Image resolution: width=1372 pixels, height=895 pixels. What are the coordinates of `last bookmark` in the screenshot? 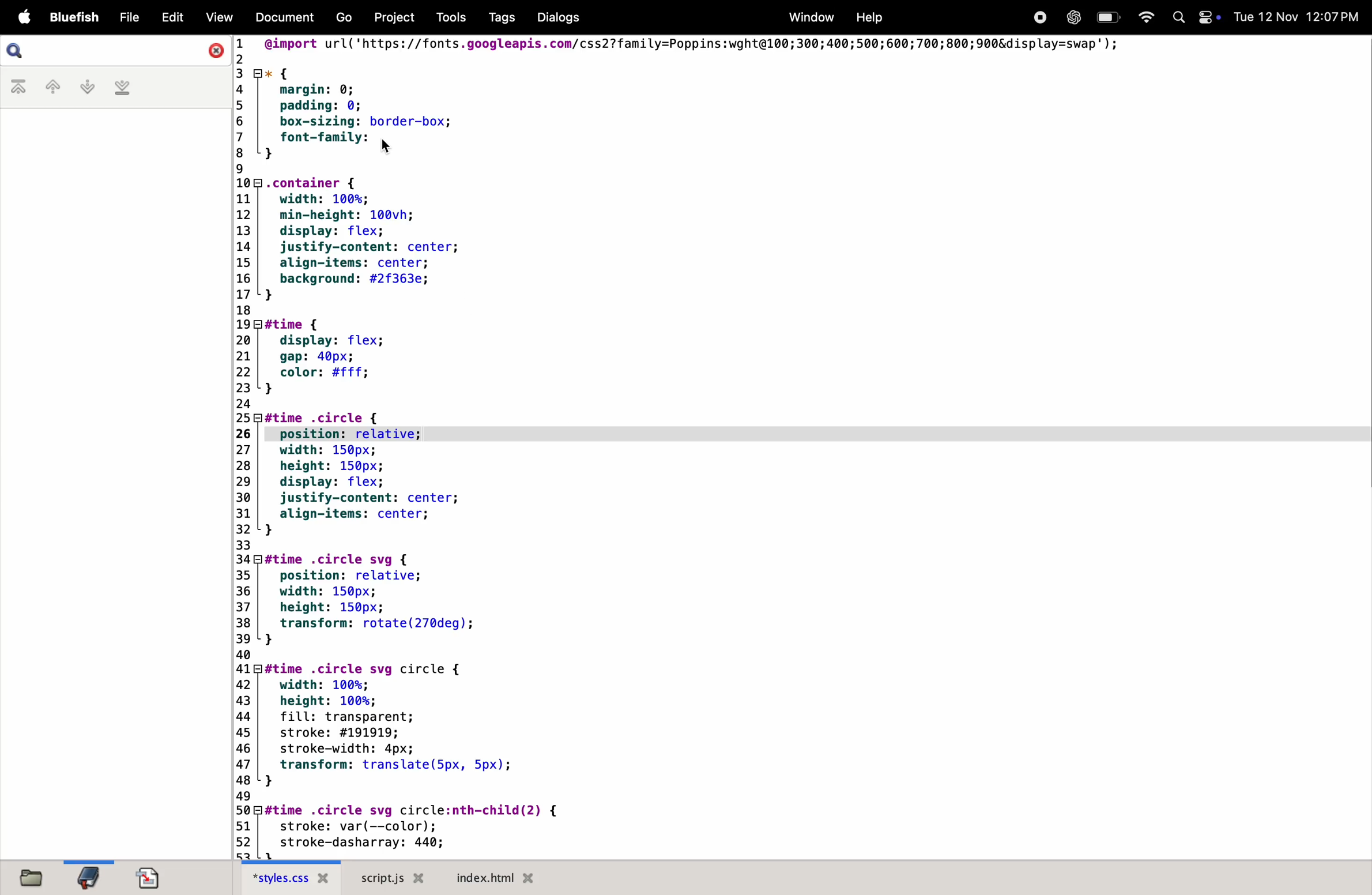 It's located at (122, 89).